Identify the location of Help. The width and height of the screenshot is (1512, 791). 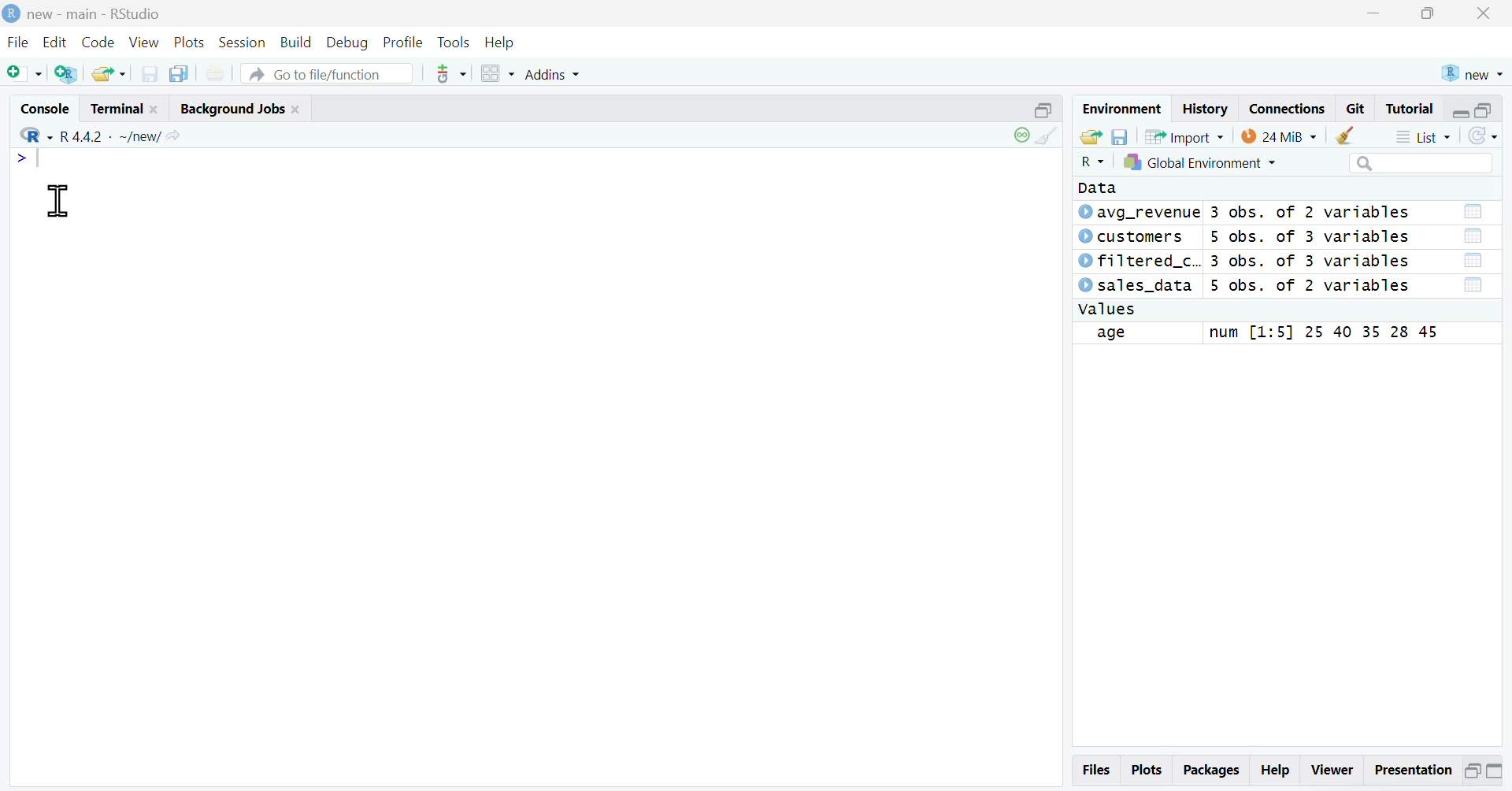
(501, 43).